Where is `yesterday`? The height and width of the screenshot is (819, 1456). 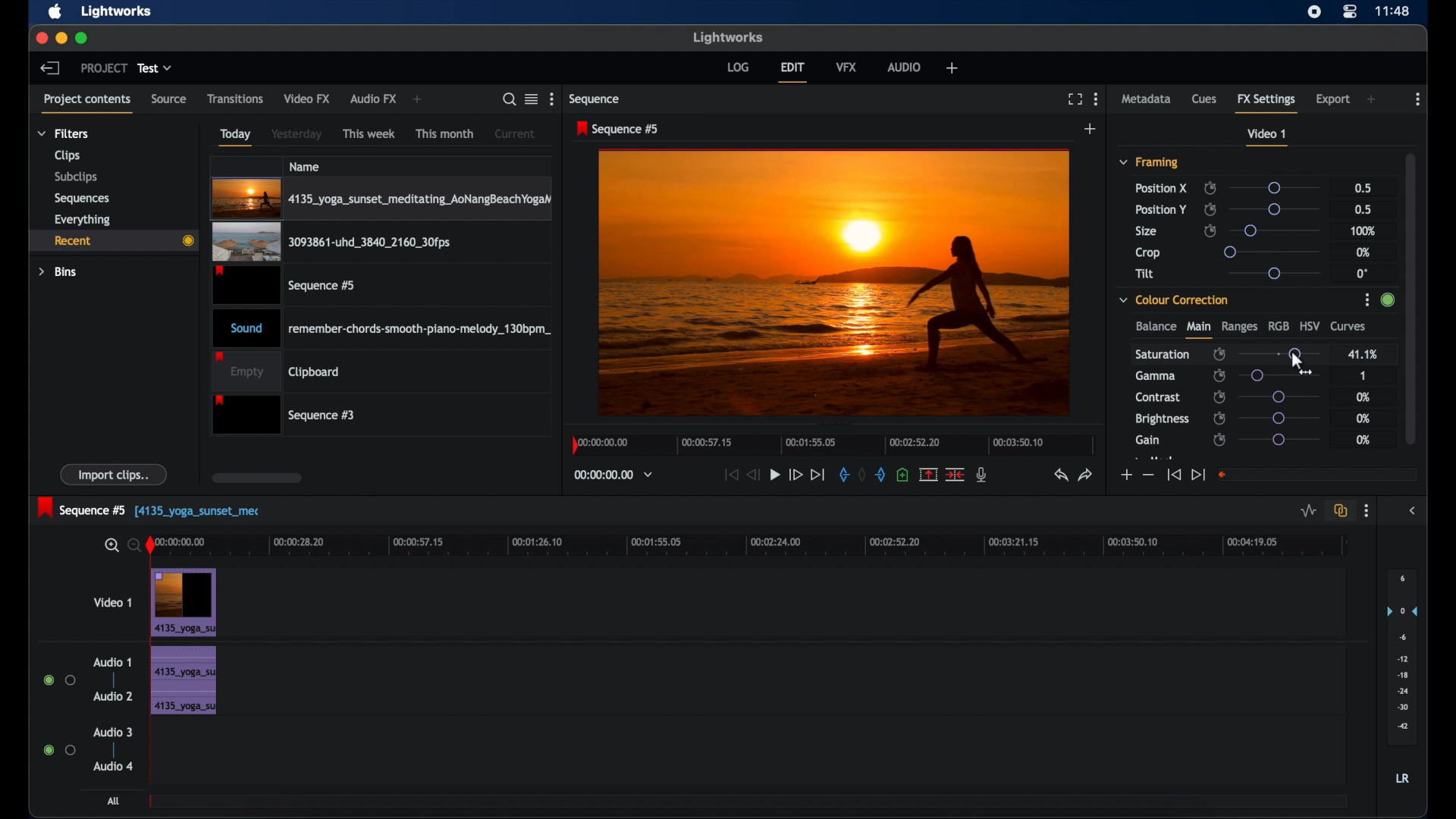
yesterday is located at coordinates (297, 134).